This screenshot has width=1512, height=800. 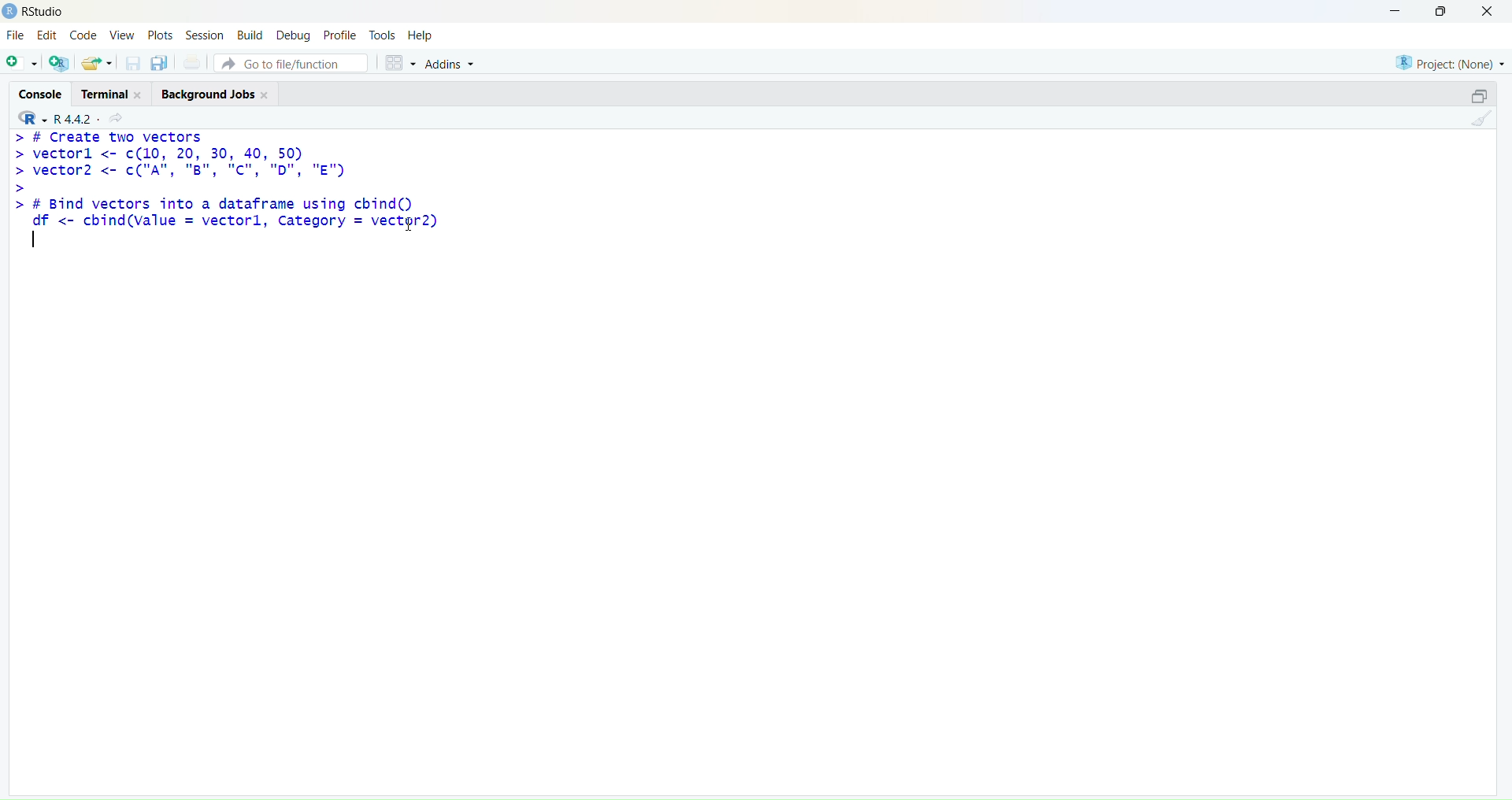 I want to click on File, so click(x=17, y=35).